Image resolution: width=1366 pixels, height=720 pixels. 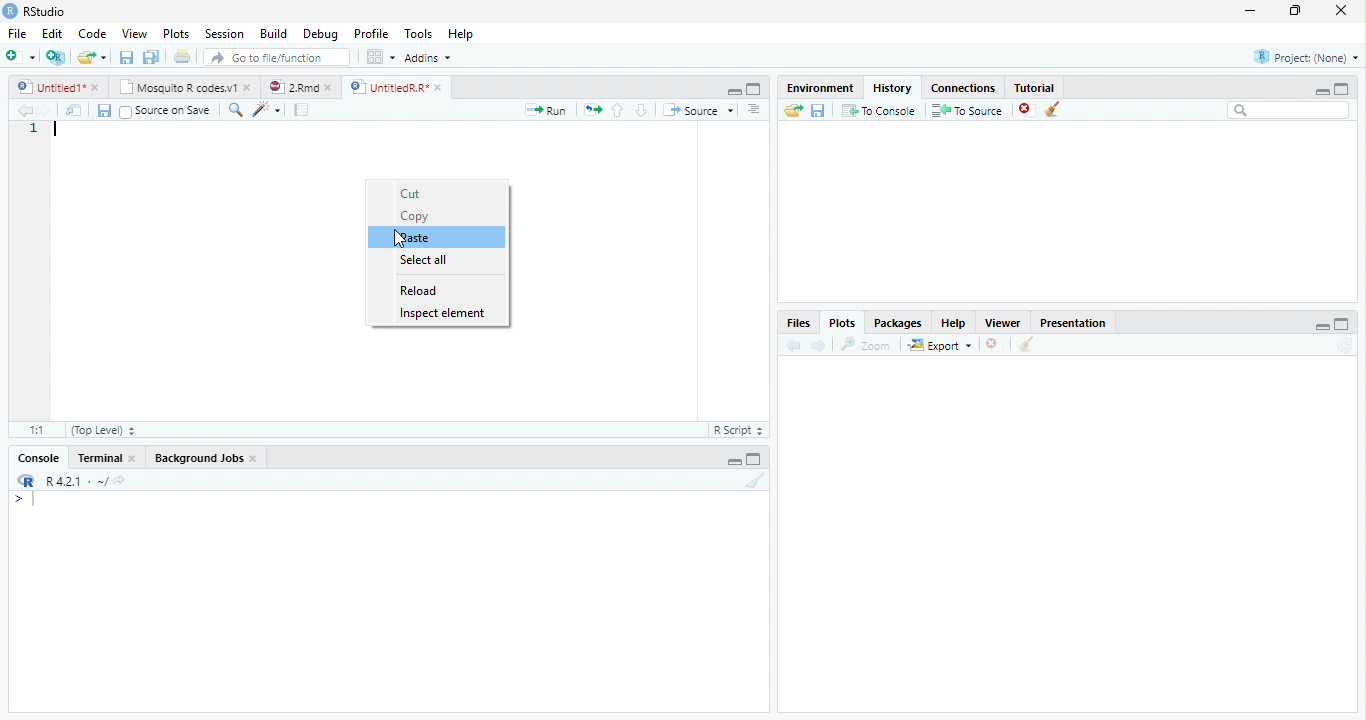 What do you see at coordinates (1072, 324) in the screenshot?
I see `Presentatior` at bounding box center [1072, 324].